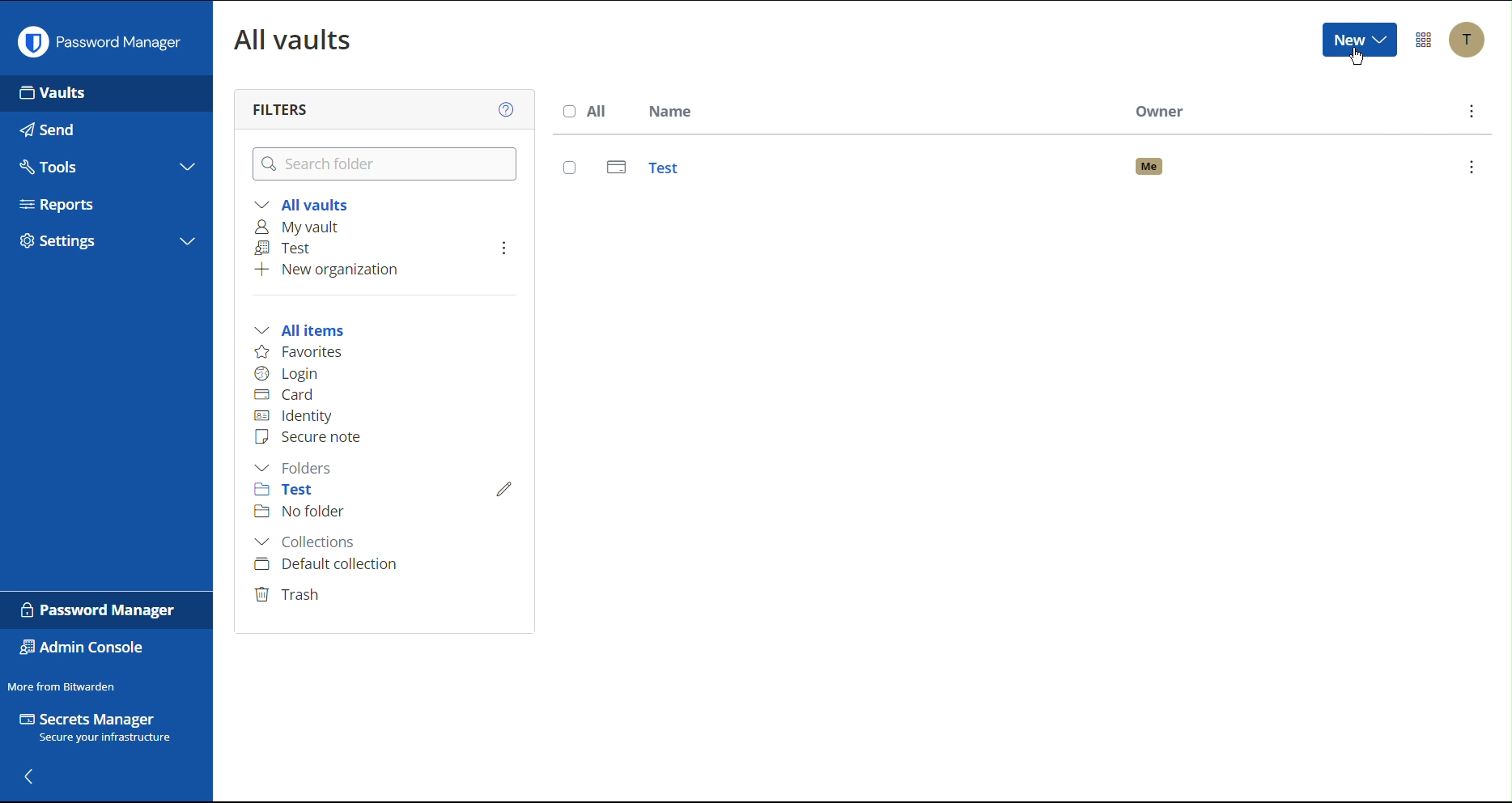  Describe the element at coordinates (99, 38) in the screenshot. I see `Password Manager` at that location.